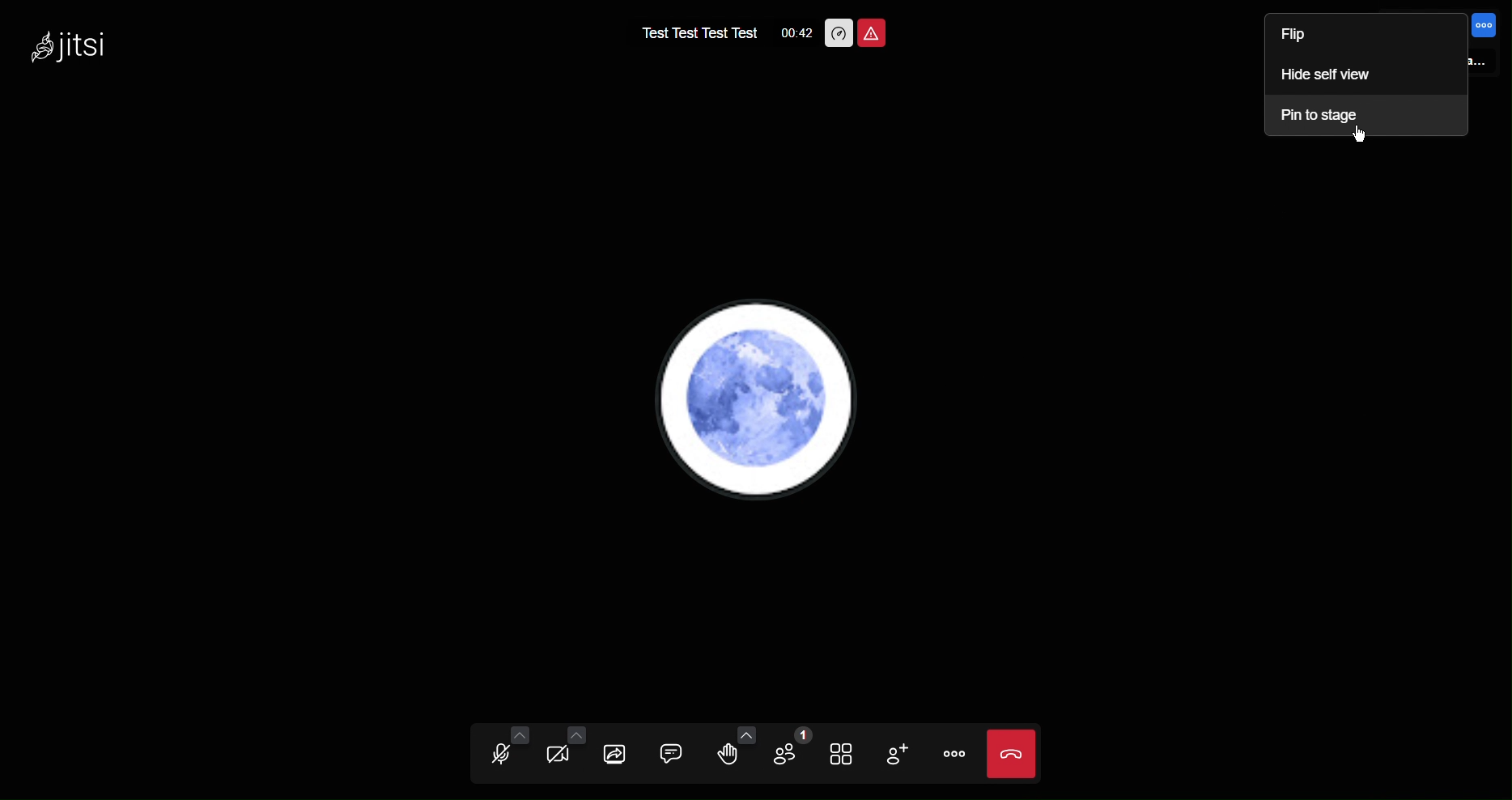  I want to click on Performance Settings, so click(839, 32).